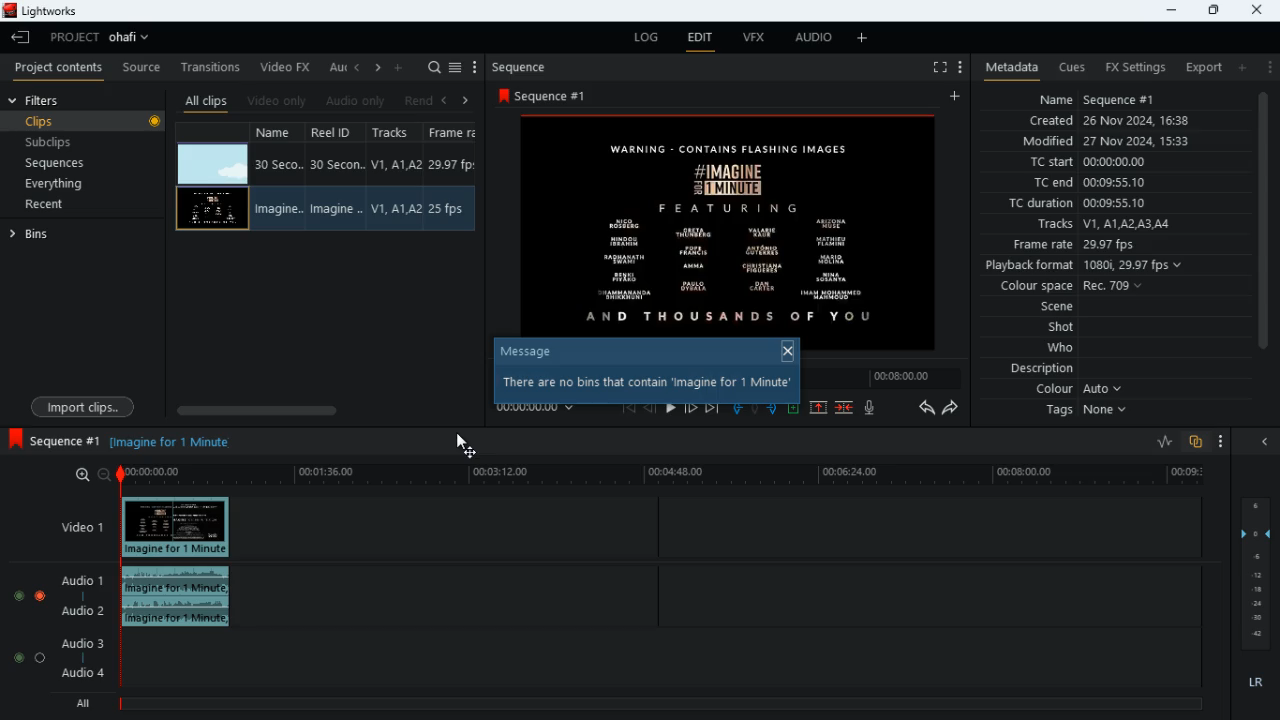 The height and width of the screenshot is (720, 1280). Describe the element at coordinates (475, 67) in the screenshot. I see `more` at that location.